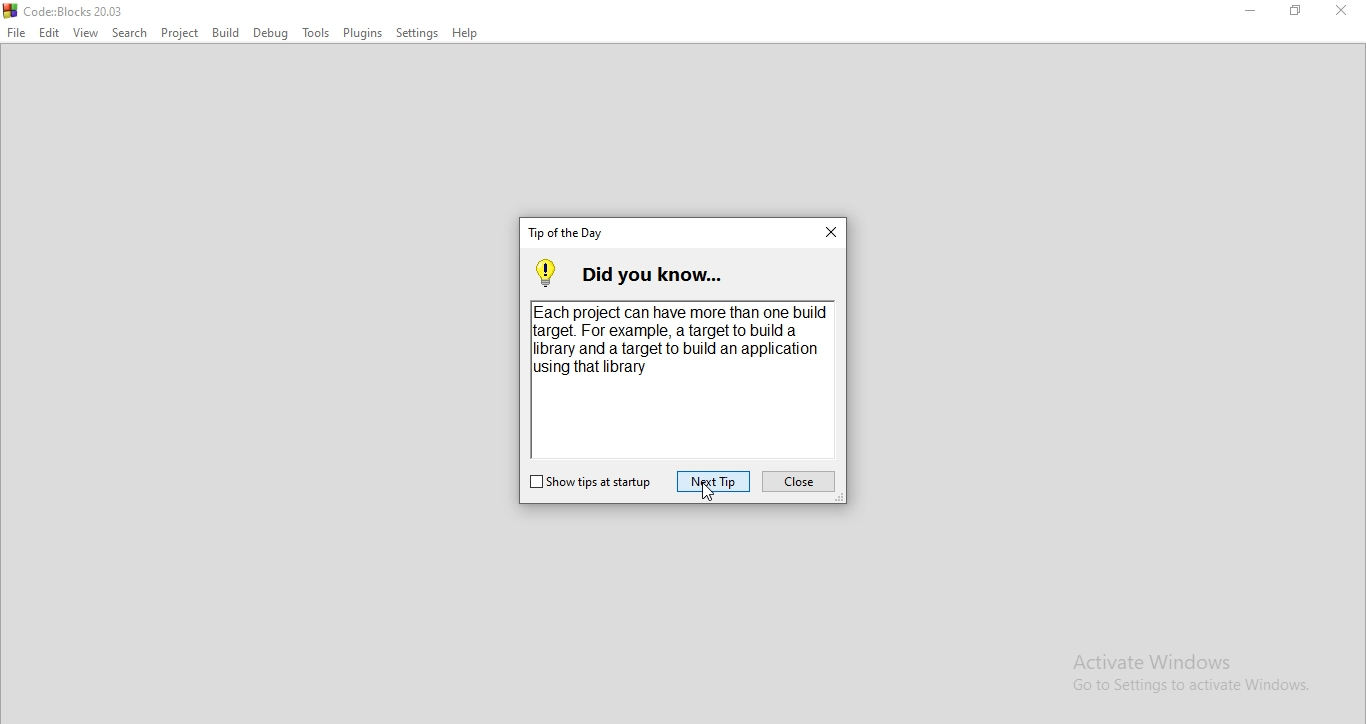 Image resolution: width=1366 pixels, height=724 pixels. What do you see at coordinates (363, 30) in the screenshot?
I see `Plugins ` at bounding box center [363, 30].